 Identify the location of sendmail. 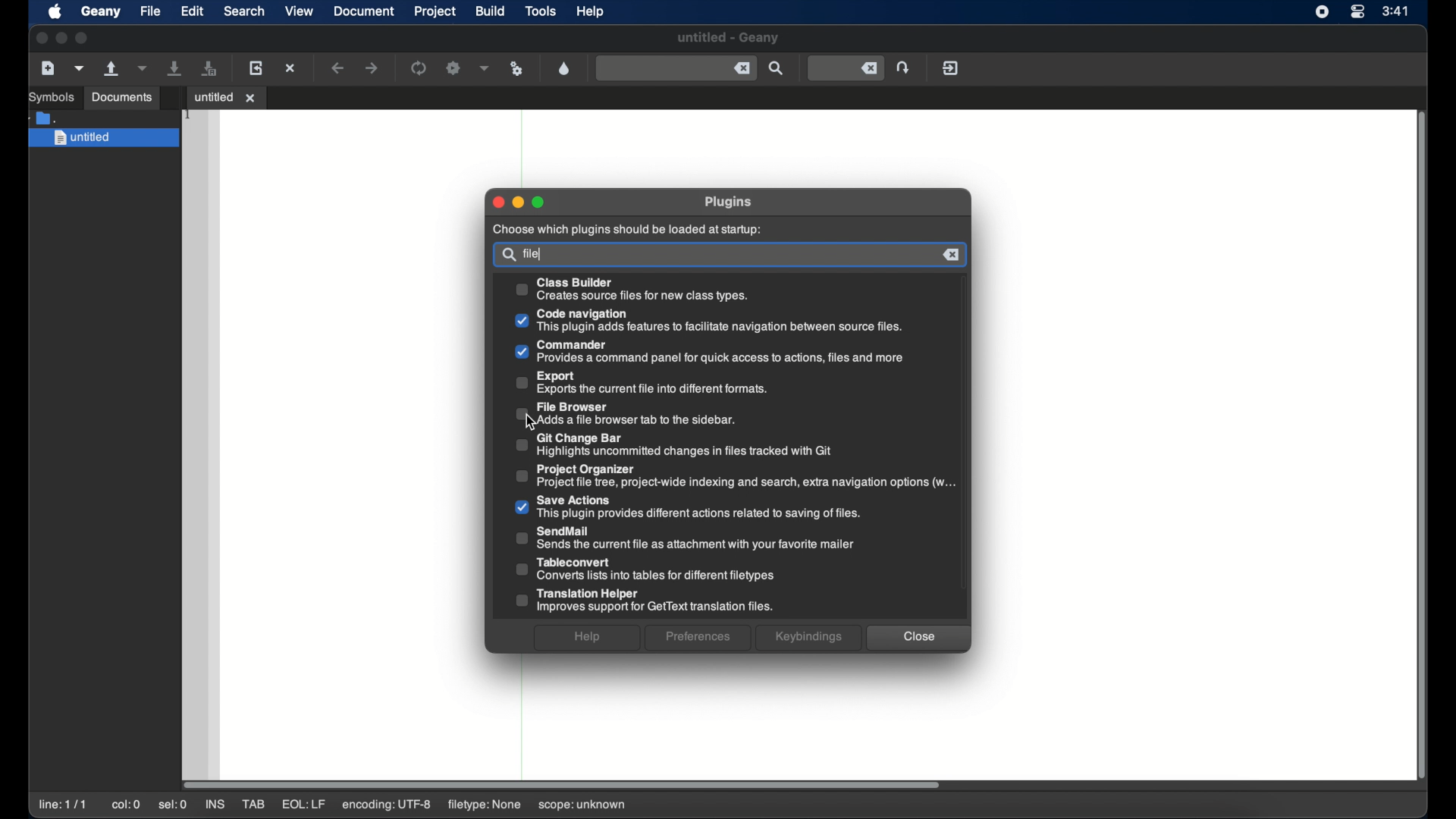
(687, 538).